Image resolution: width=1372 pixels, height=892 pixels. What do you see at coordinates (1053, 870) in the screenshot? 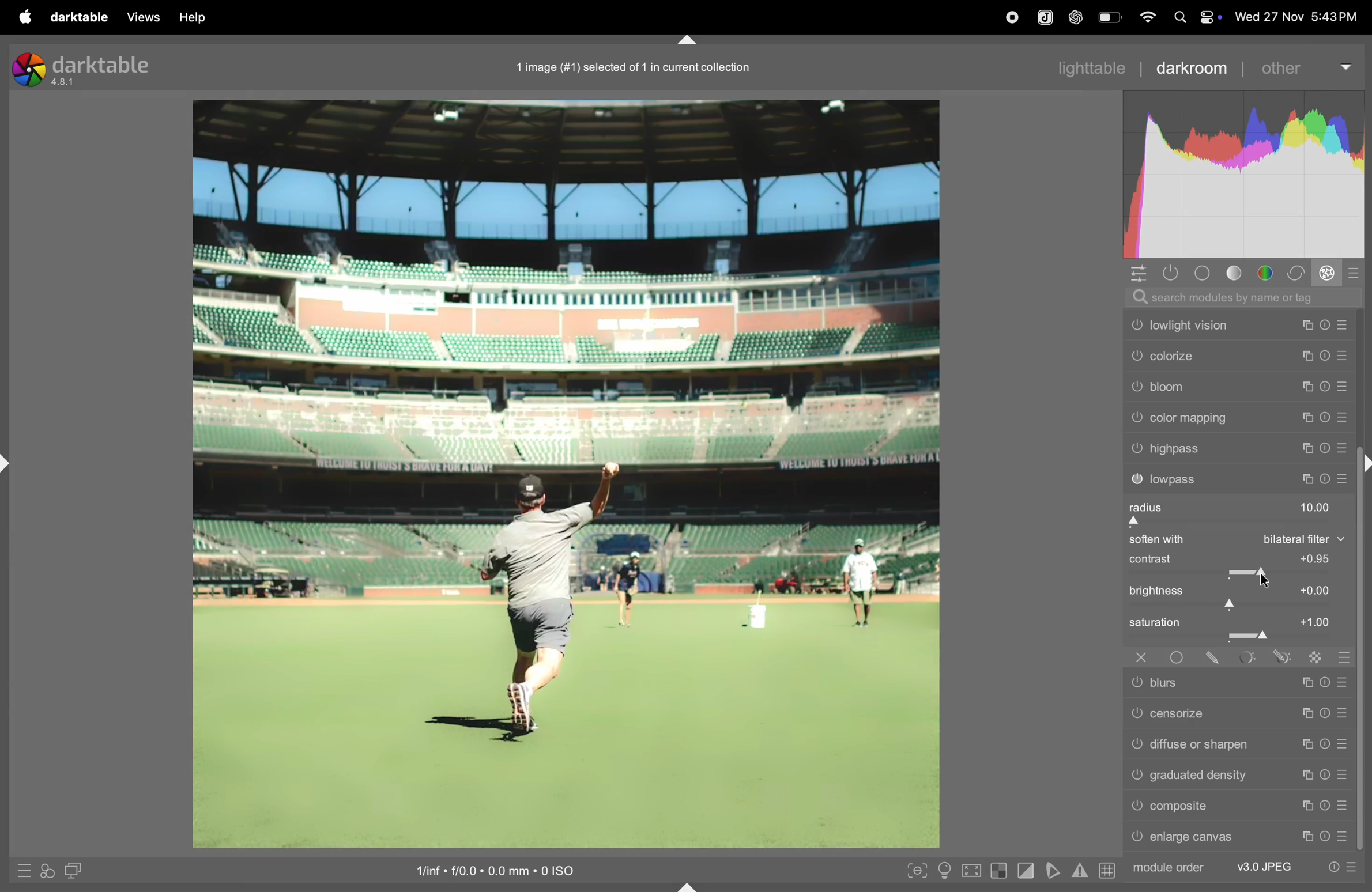
I see `toggle soft proffing` at bounding box center [1053, 870].